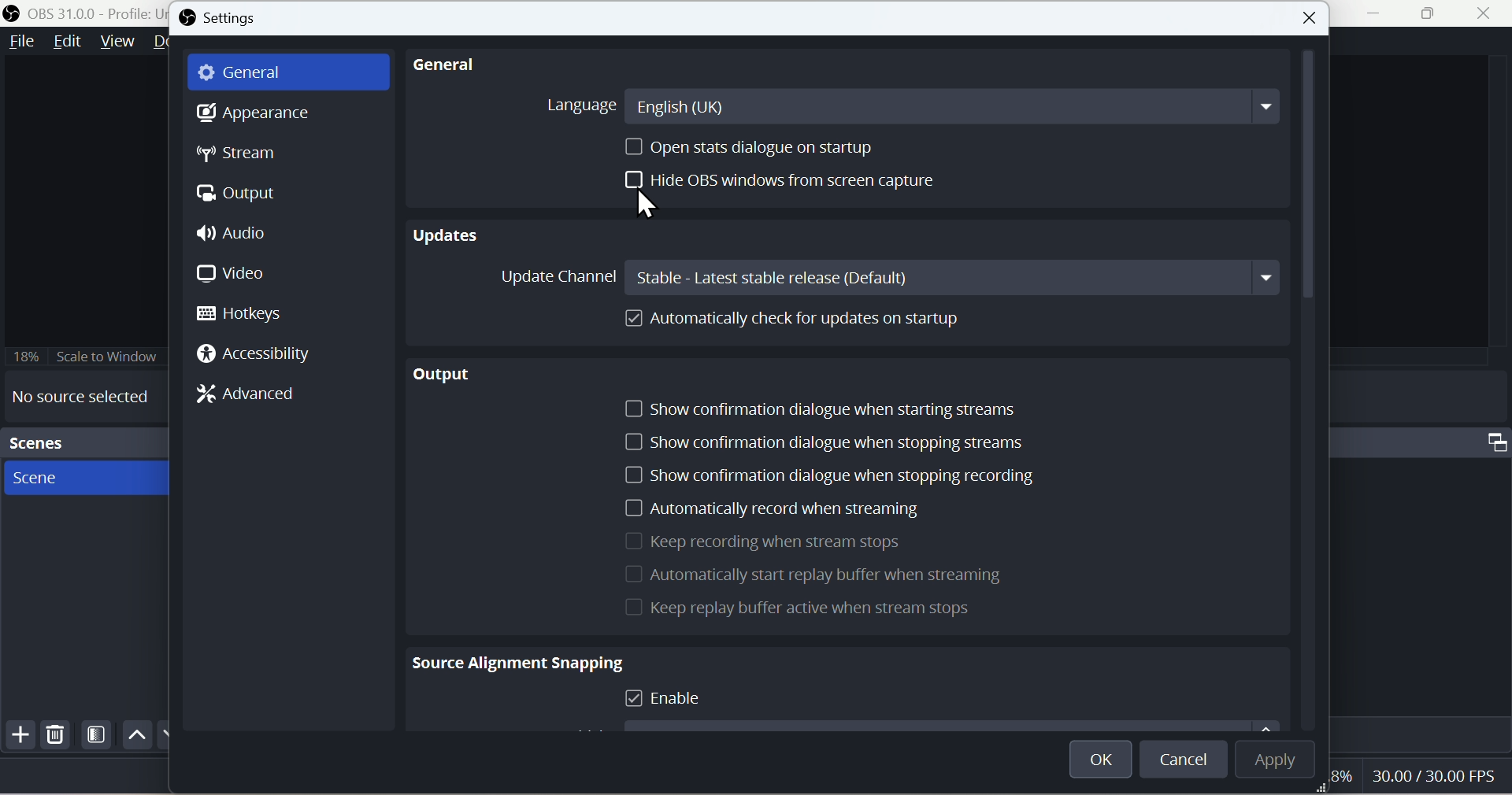  I want to click on Maximize Window, so click(1492, 444).